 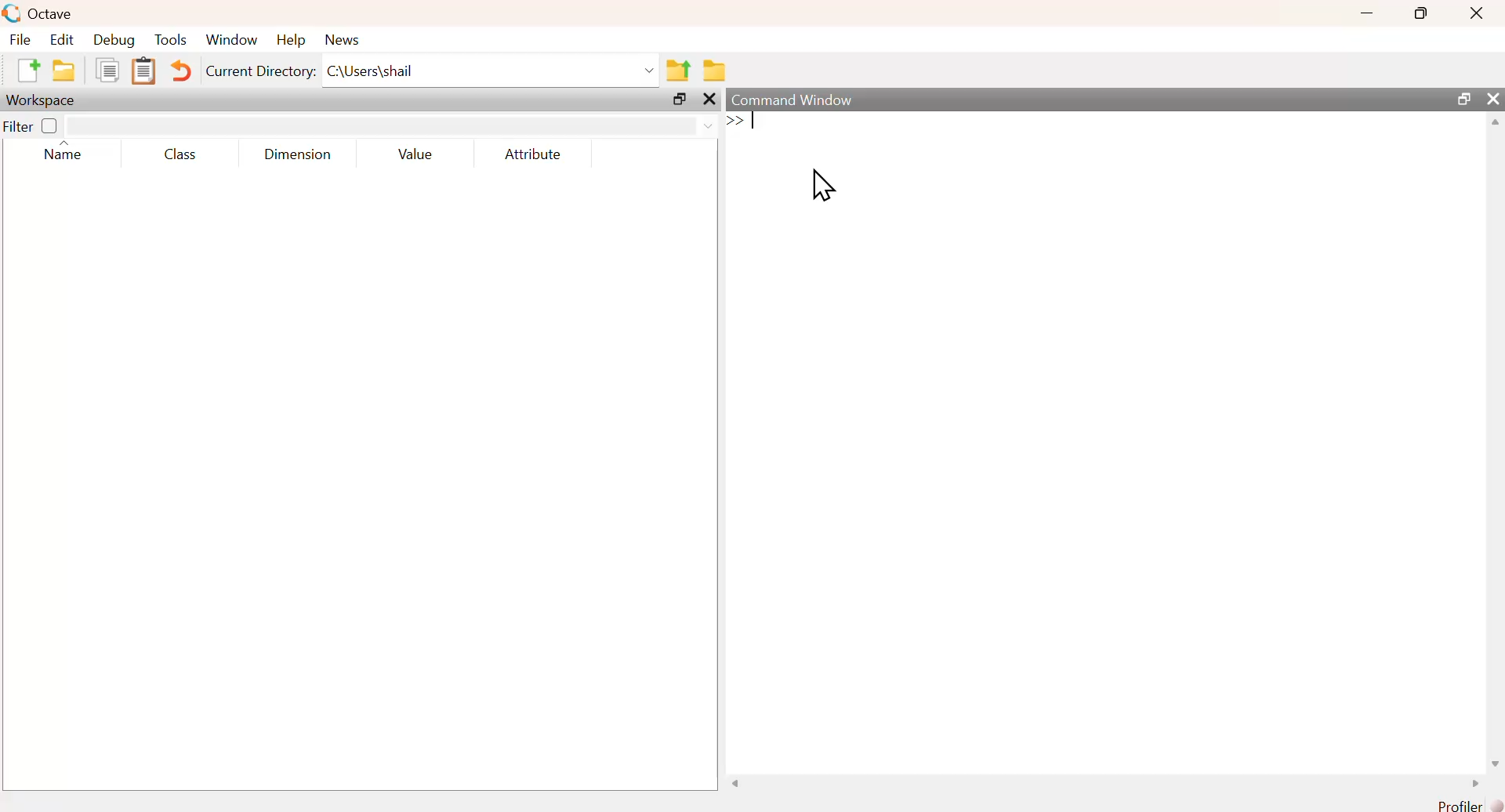 What do you see at coordinates (1420, 13) in the screenshot?
I see `maximize` at bounding box center [1420, 13].